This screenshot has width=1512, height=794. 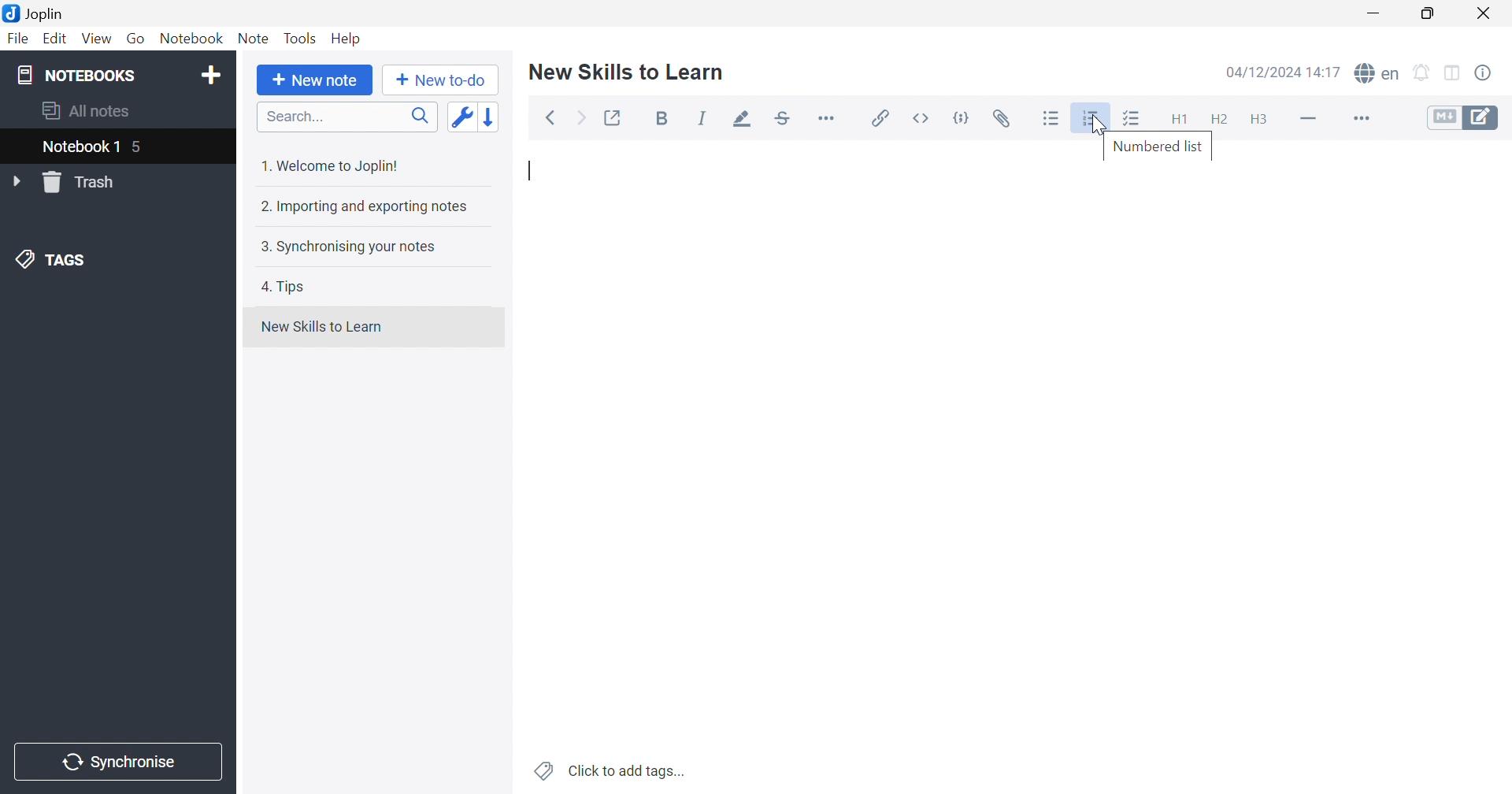 What do you see at coordinates (54, 258) in the screenshot?
I see `TAGS` at bounding box center [54, 258].